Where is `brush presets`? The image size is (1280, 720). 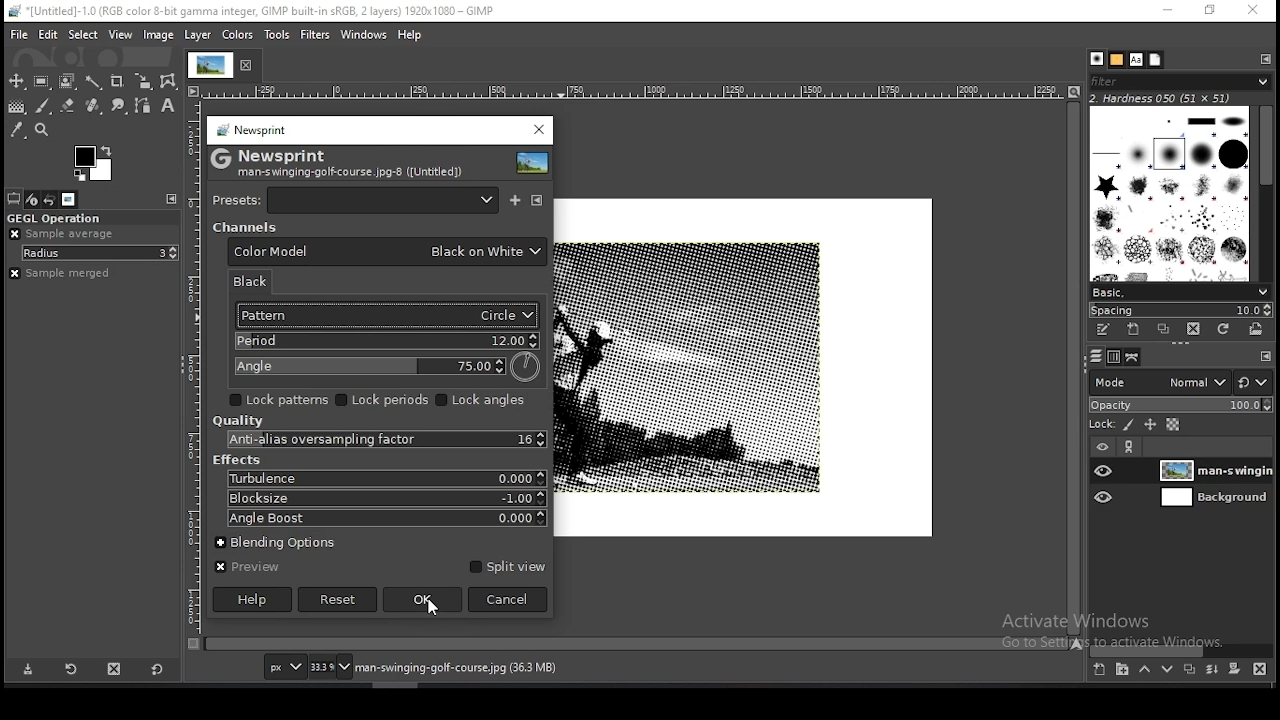 brush presets is located at coordinates (1177, 291).